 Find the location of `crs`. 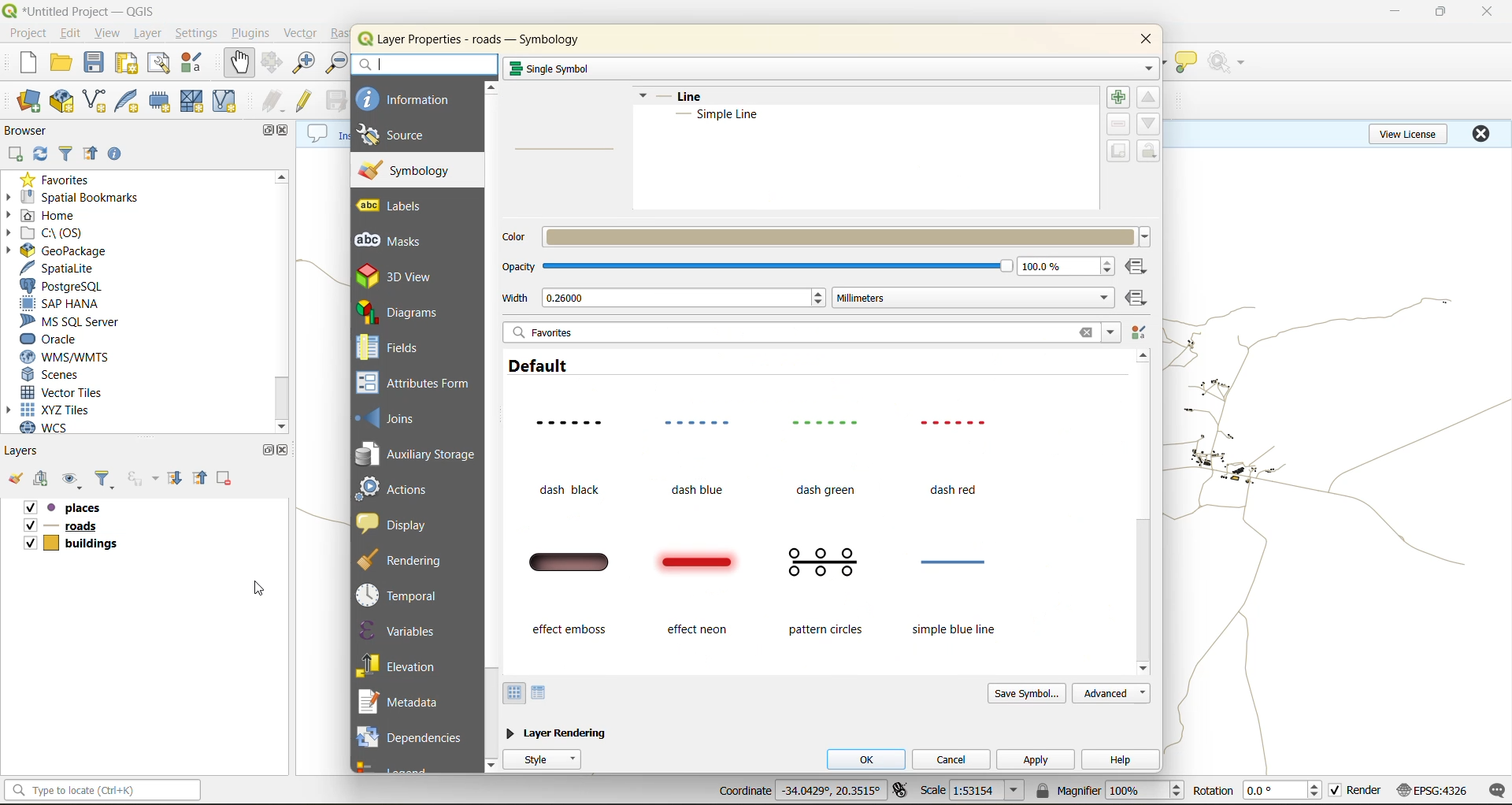

crs is located at coordinates (1434, 791).